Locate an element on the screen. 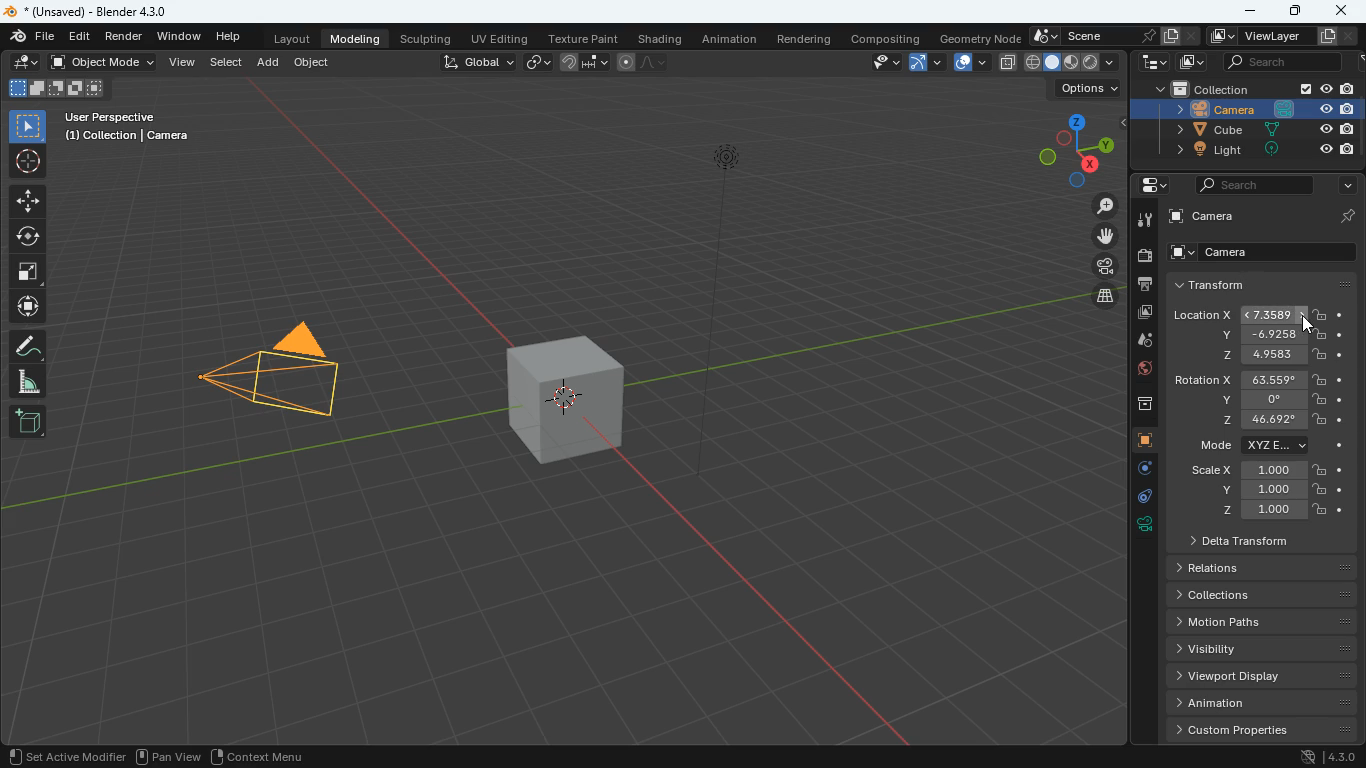  cube is located at coordinates (572, 397).